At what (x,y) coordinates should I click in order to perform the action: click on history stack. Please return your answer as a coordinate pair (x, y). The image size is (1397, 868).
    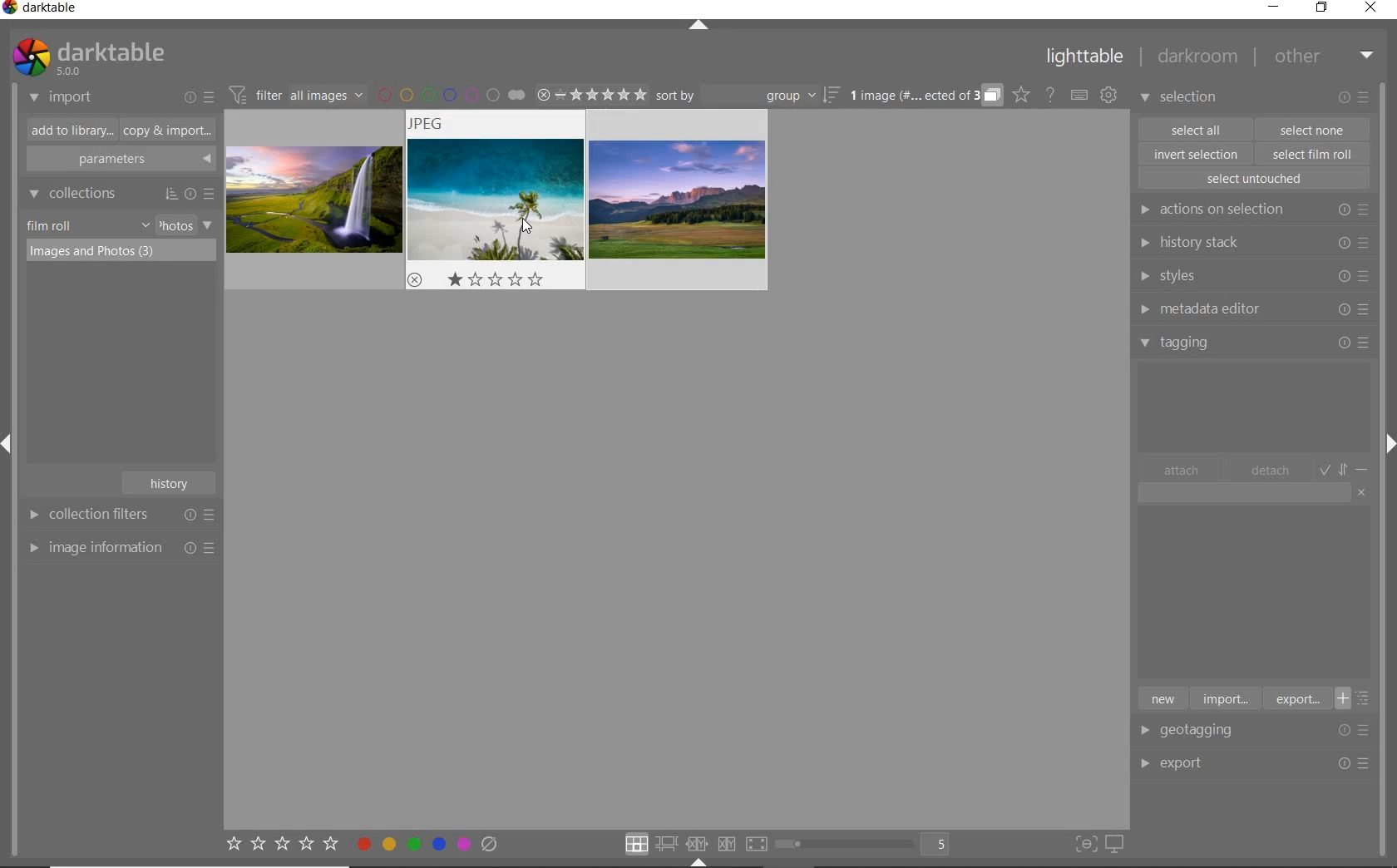
    Looking at the image, I should click on (1251, 242).